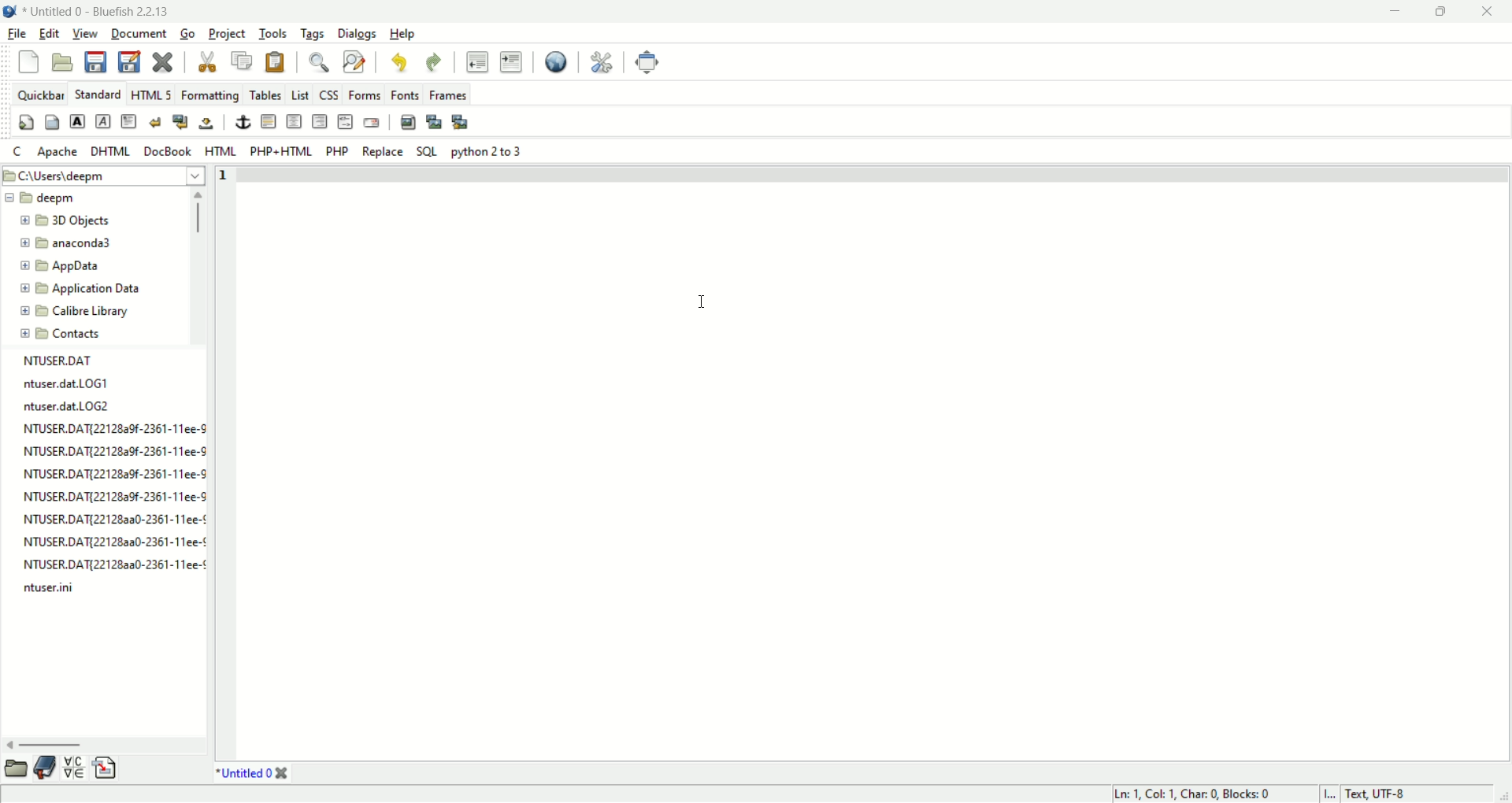 This screenshot has height=803, width=1512. Describe the element at coordinates (460, 122) in the screenshot. I see `multi thumbnail` at that location.